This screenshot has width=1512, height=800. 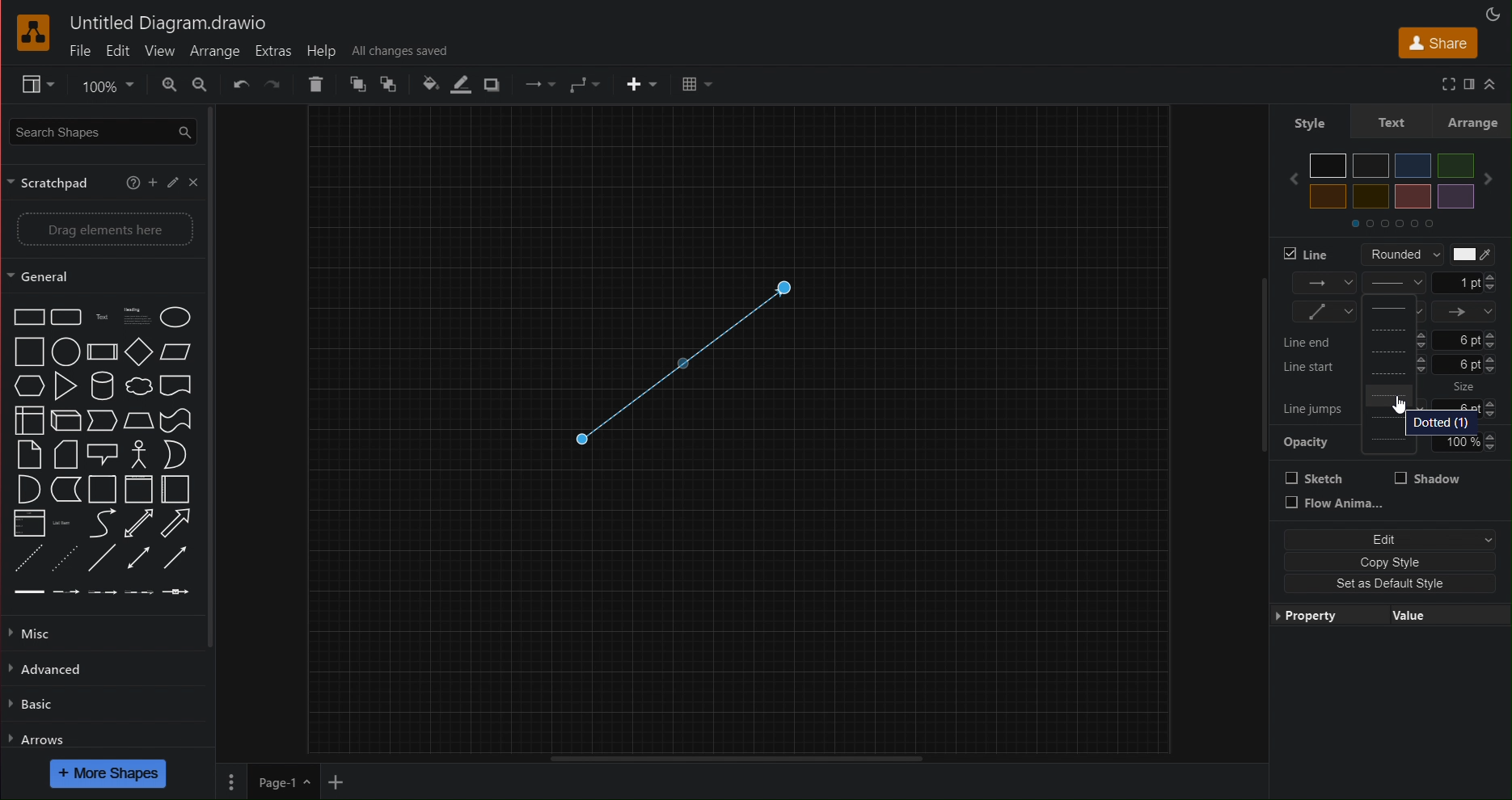 I want to click on Line Color, so click(x=458, y=86).